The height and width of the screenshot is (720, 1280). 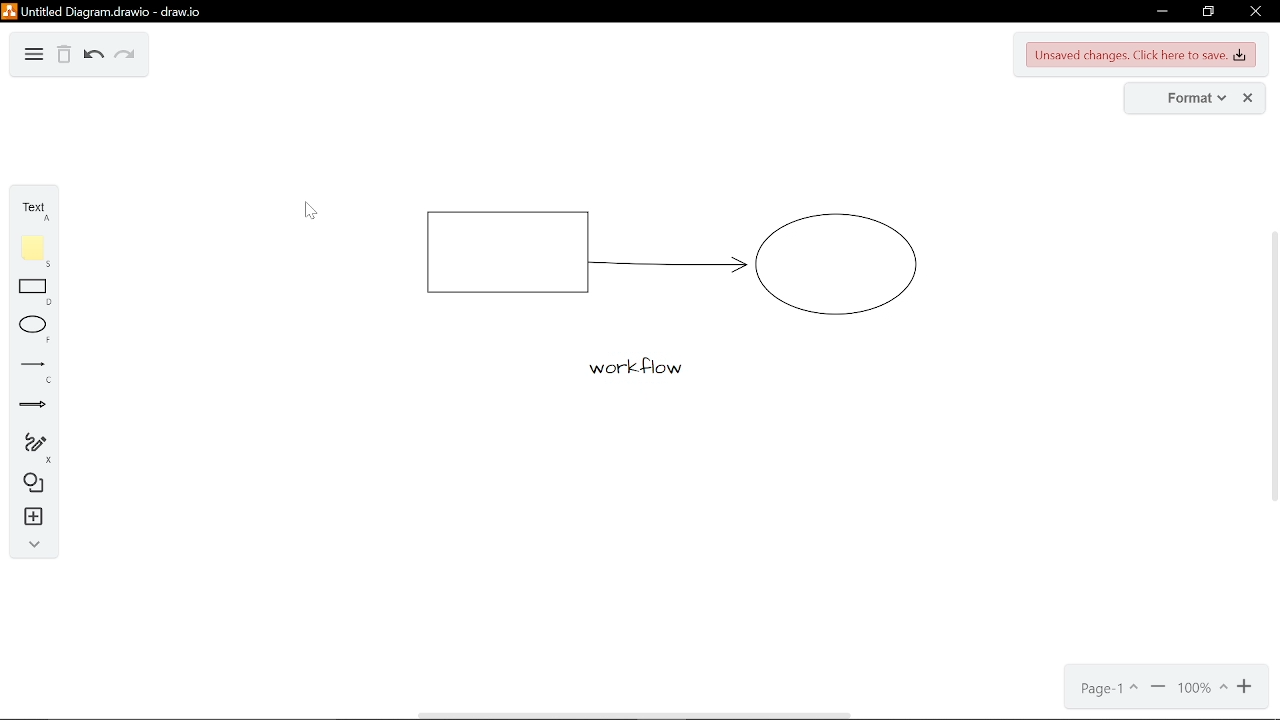 I want to click on text, so click(x=34, y=213).